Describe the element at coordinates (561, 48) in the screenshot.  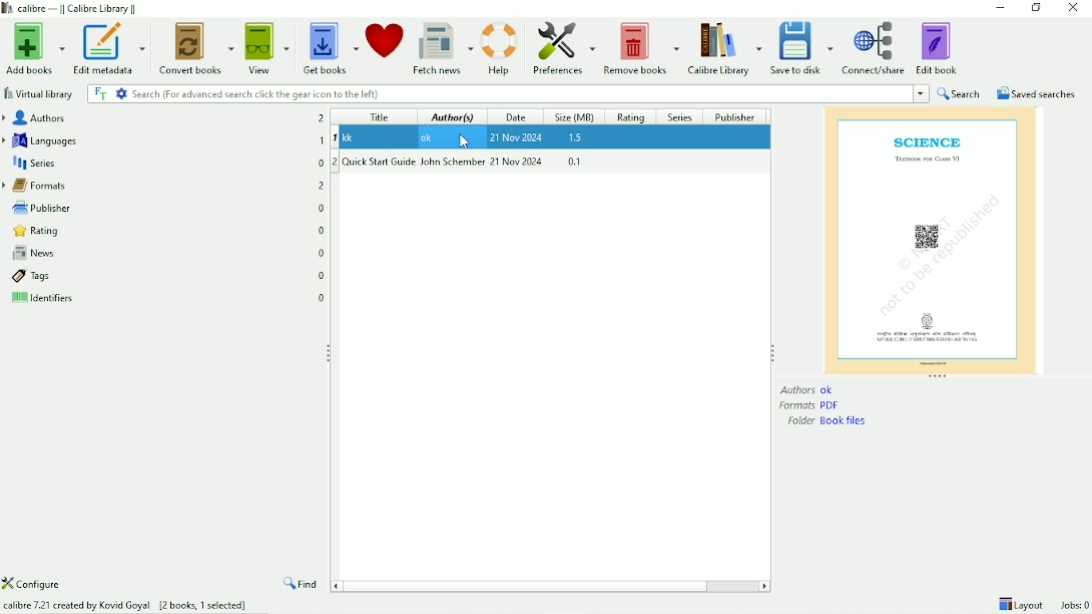
I see `Preferences` at that location.